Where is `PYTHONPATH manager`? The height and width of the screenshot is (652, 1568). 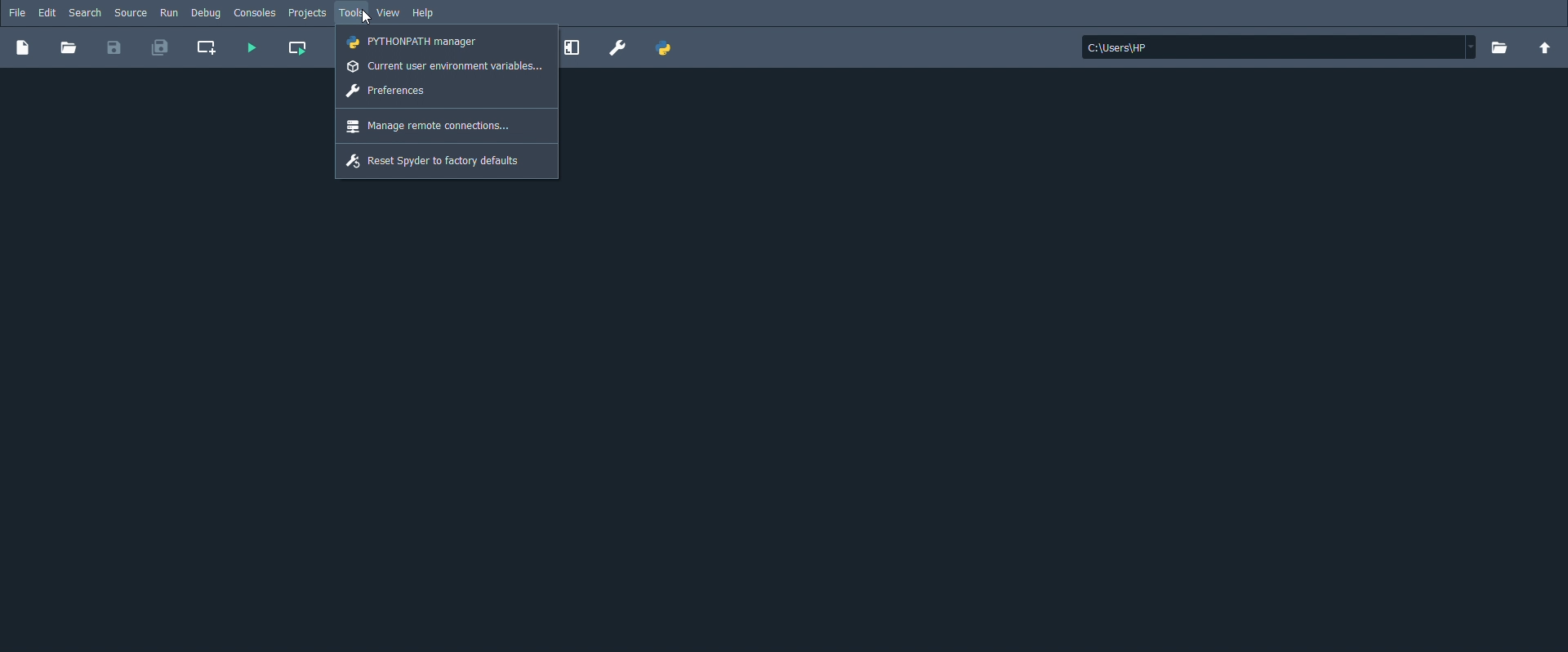 PYTHONPATH manager is located at coordinates (415, 42).